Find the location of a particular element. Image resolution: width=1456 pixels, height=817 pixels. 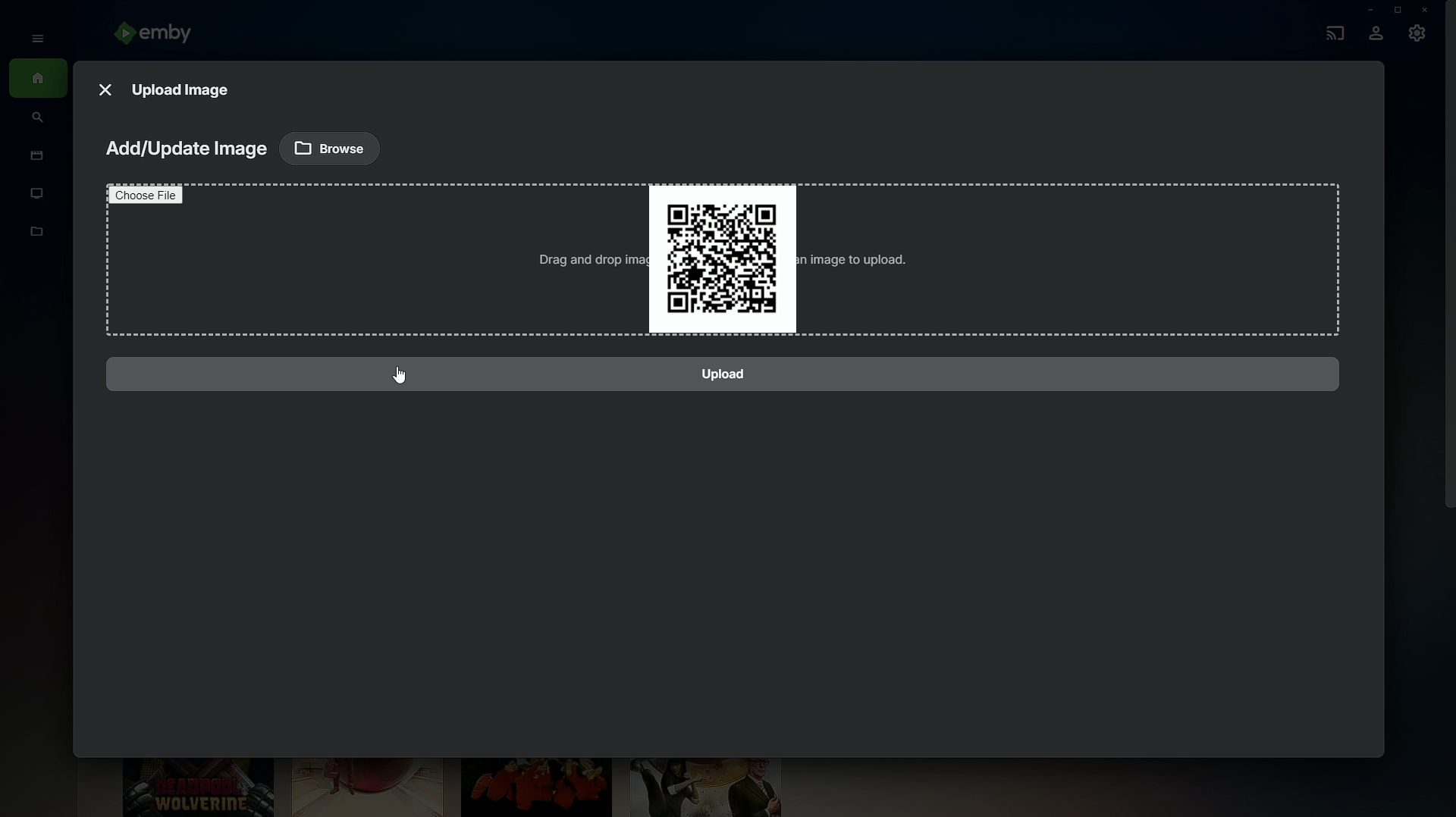

emby is located at coordinates (159, 35).